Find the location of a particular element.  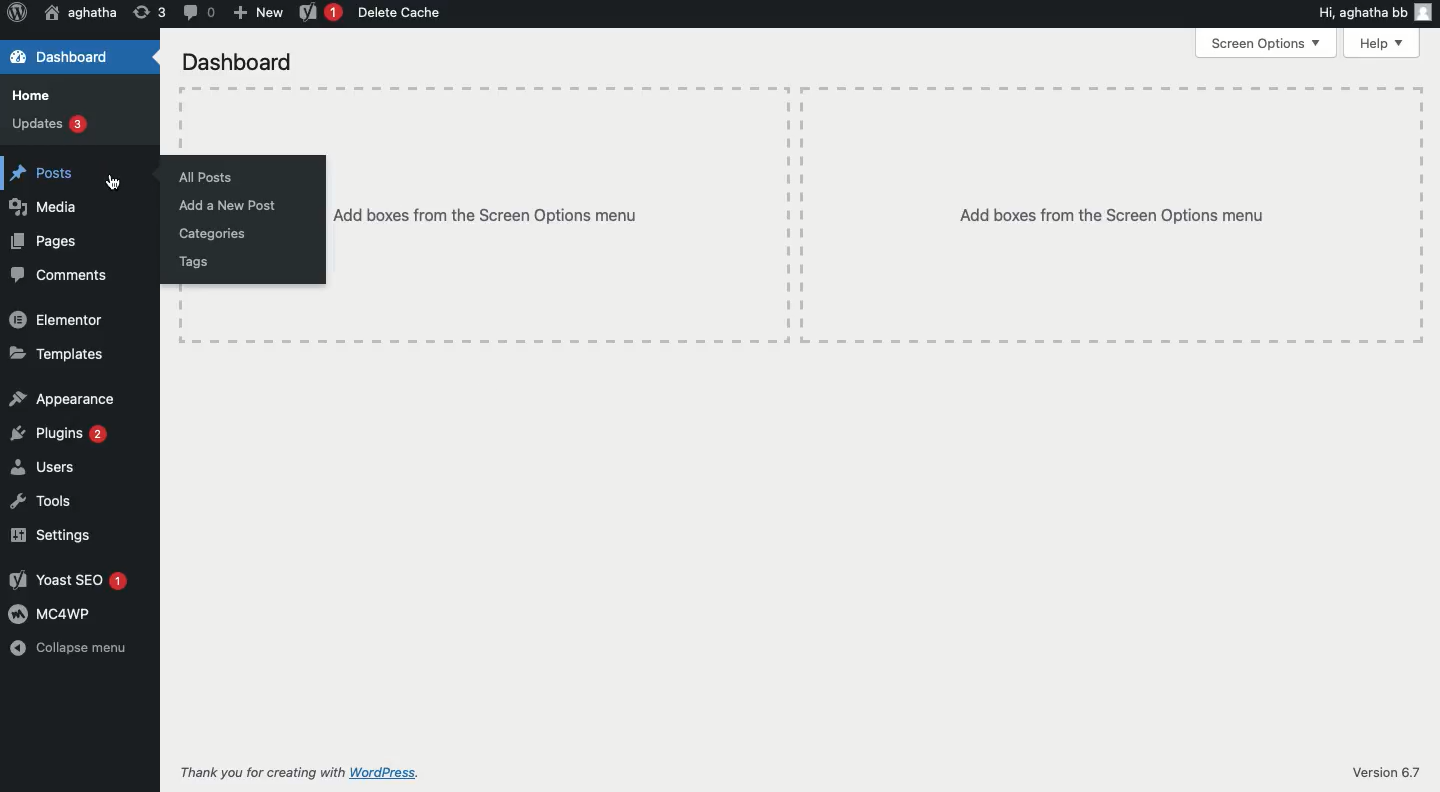

Plugins is located at coordinates (60, 433).